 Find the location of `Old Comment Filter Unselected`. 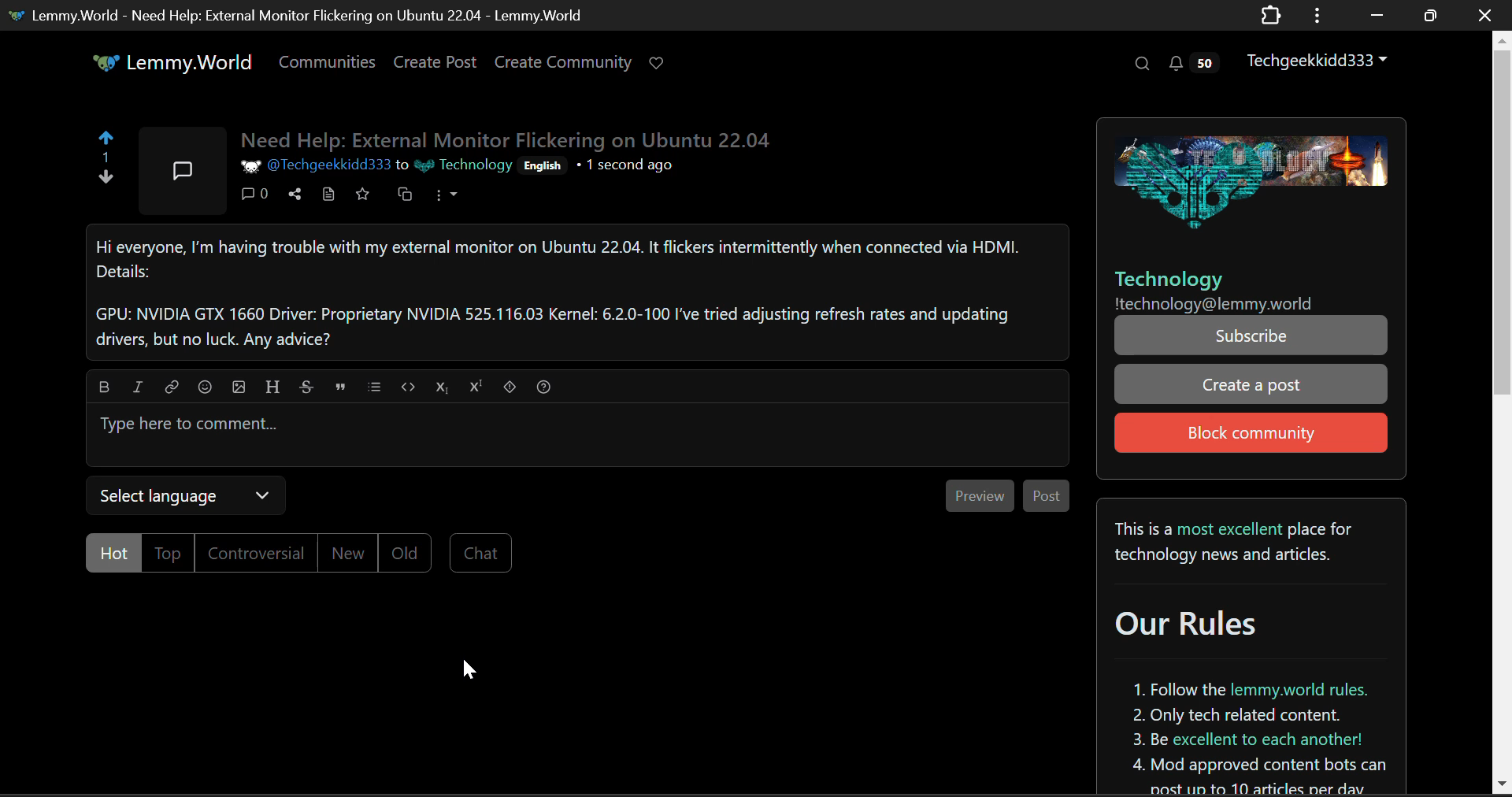

Old Comment Filter Unselected is located at coordinates (402, 551).